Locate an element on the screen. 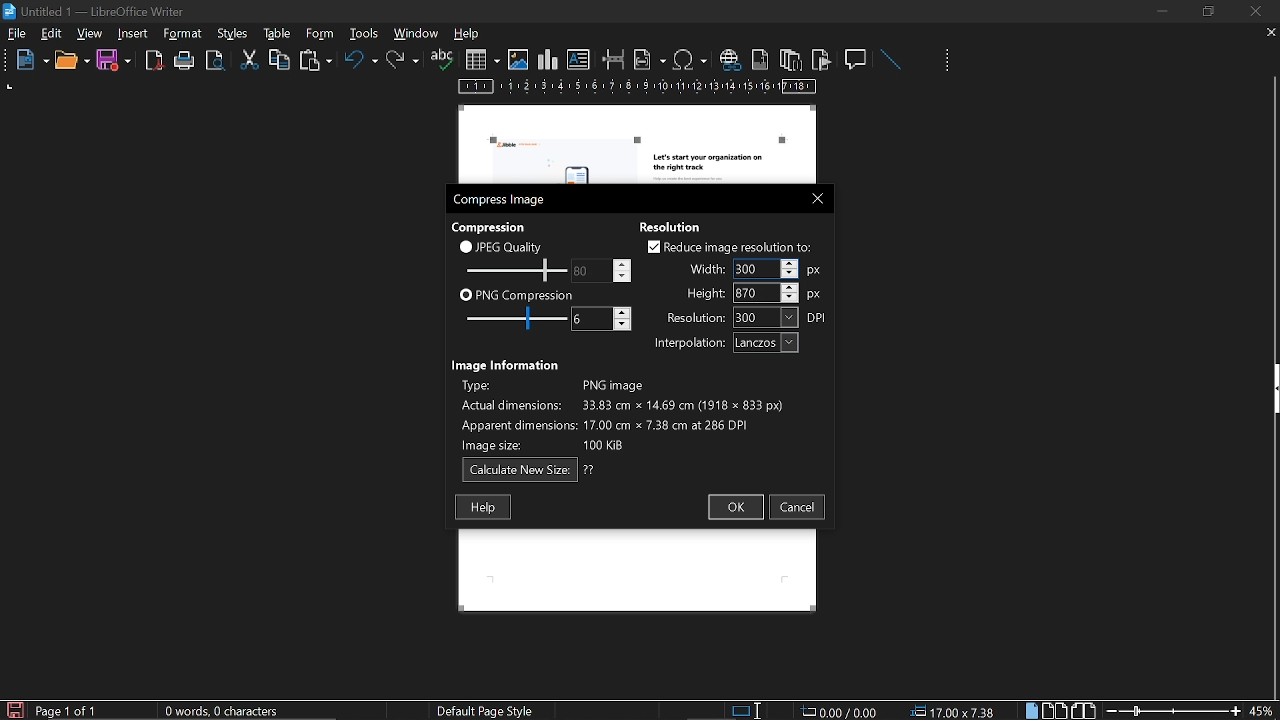 The height and width of the screenshot is (720, 1280). insert chart is located at coordinates (548, 60).